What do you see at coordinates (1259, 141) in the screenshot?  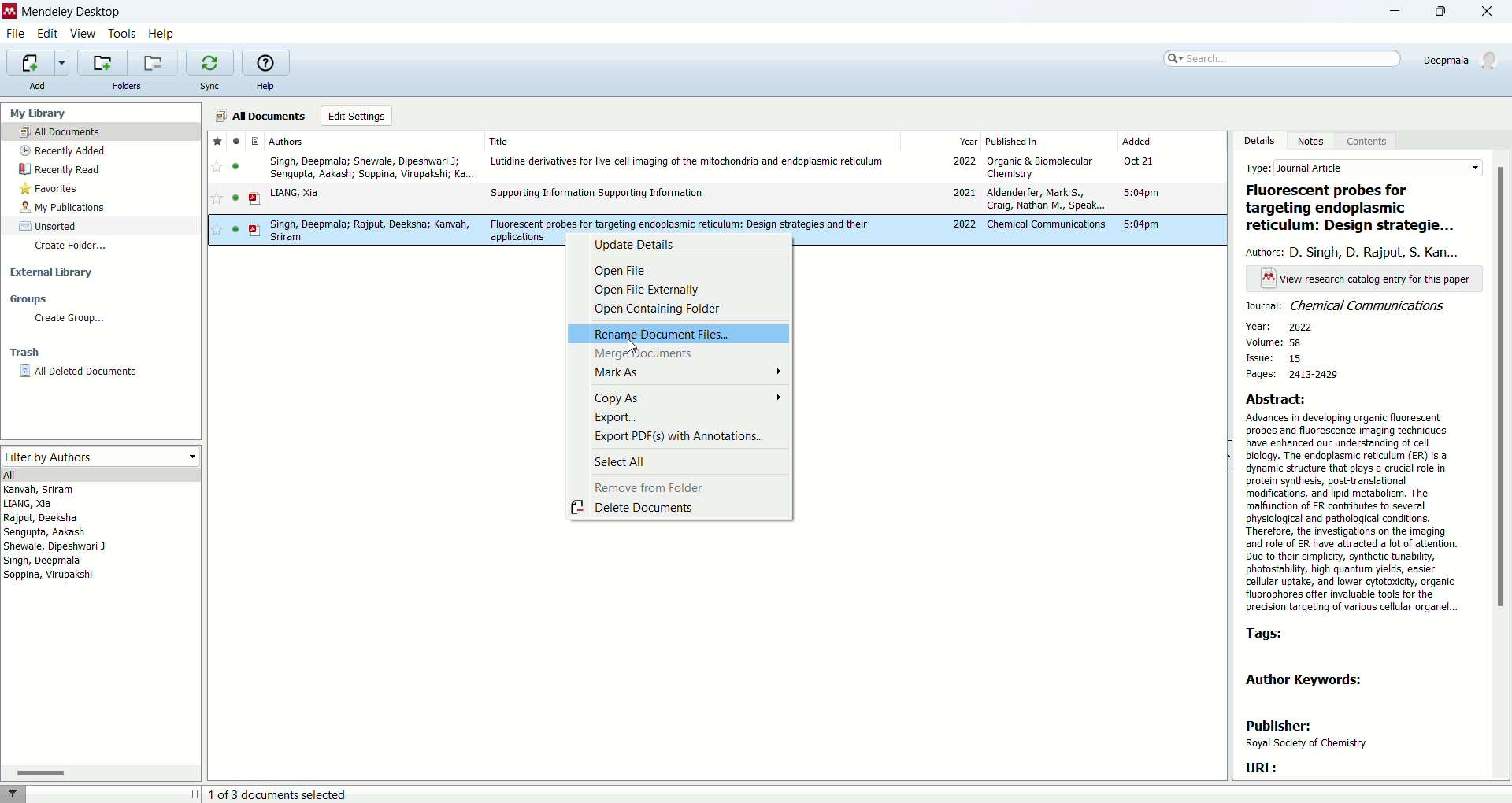 I see `details` at bounding box center [1259, 141].